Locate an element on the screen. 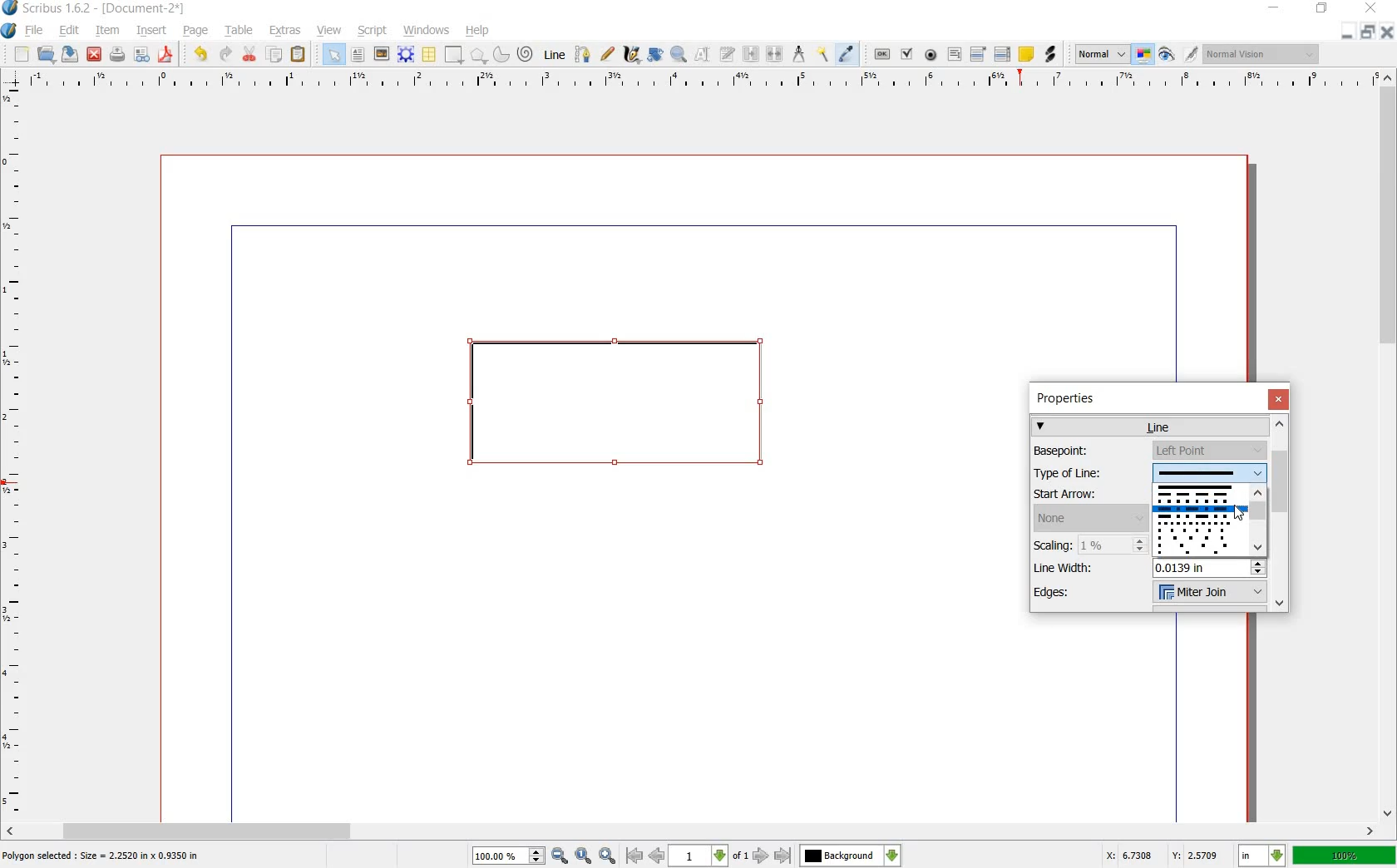 The height and width of the screenshot is (868, 1397). COPY ITEM PROPERTIES is located at coordinates (822, 55).